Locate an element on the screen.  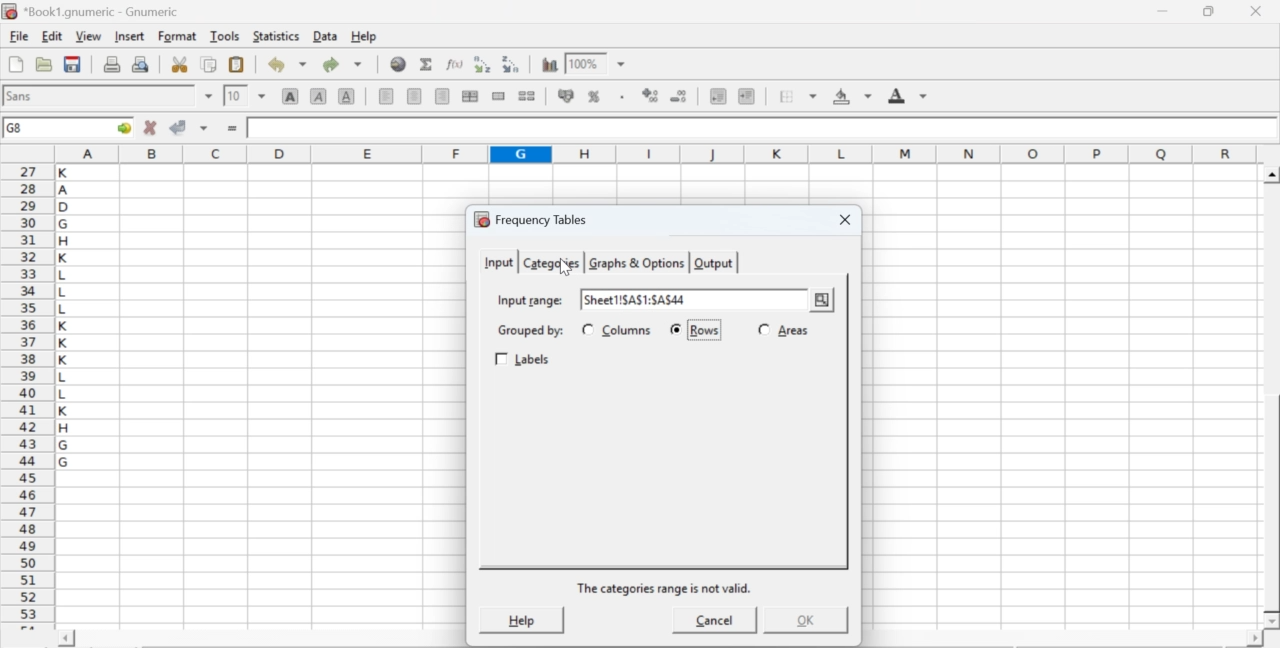
alphabets is located at coordinates (65, 393).